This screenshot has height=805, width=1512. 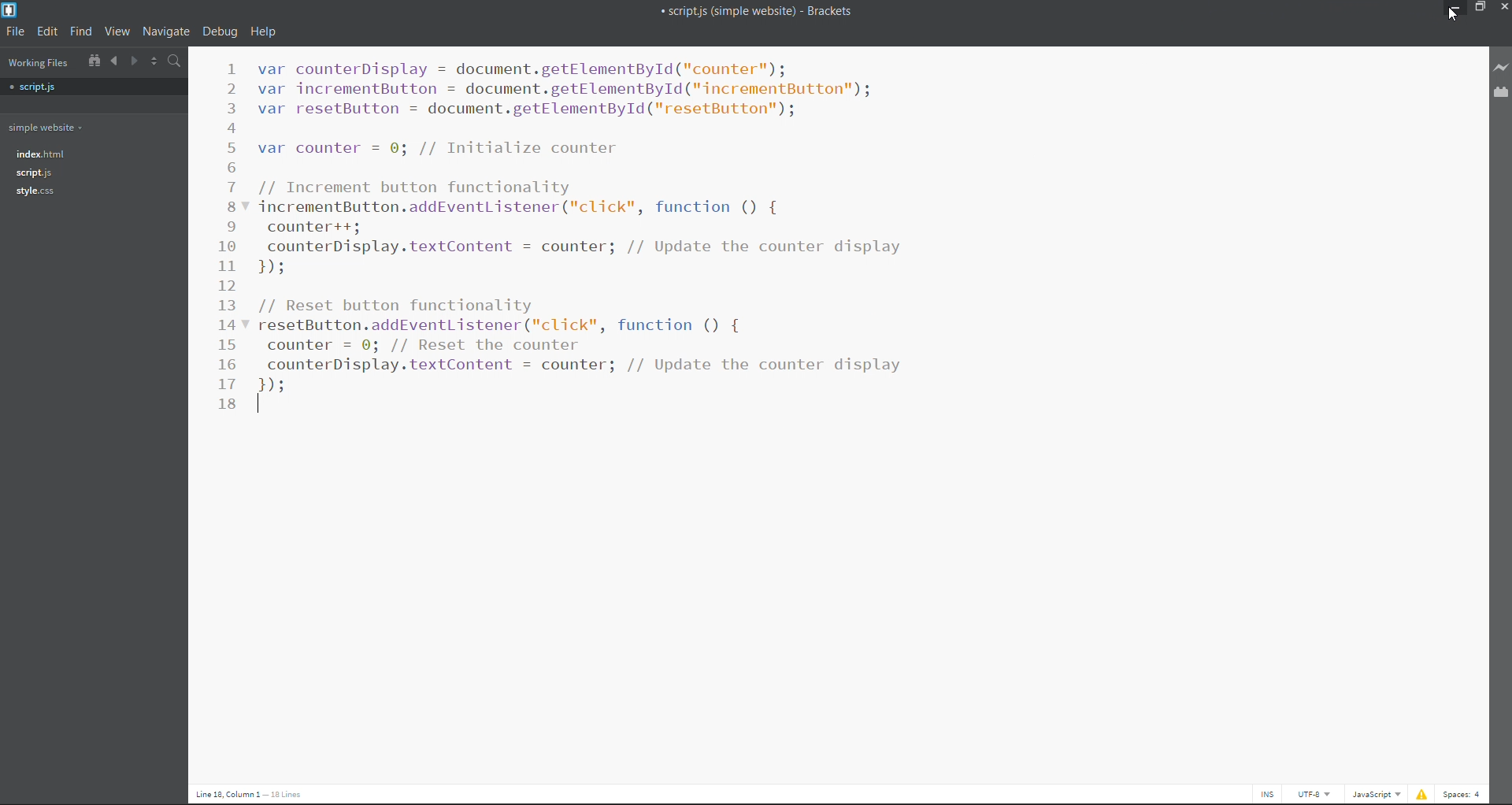 I want to click on Javascript, so click(x=1371, y=795).